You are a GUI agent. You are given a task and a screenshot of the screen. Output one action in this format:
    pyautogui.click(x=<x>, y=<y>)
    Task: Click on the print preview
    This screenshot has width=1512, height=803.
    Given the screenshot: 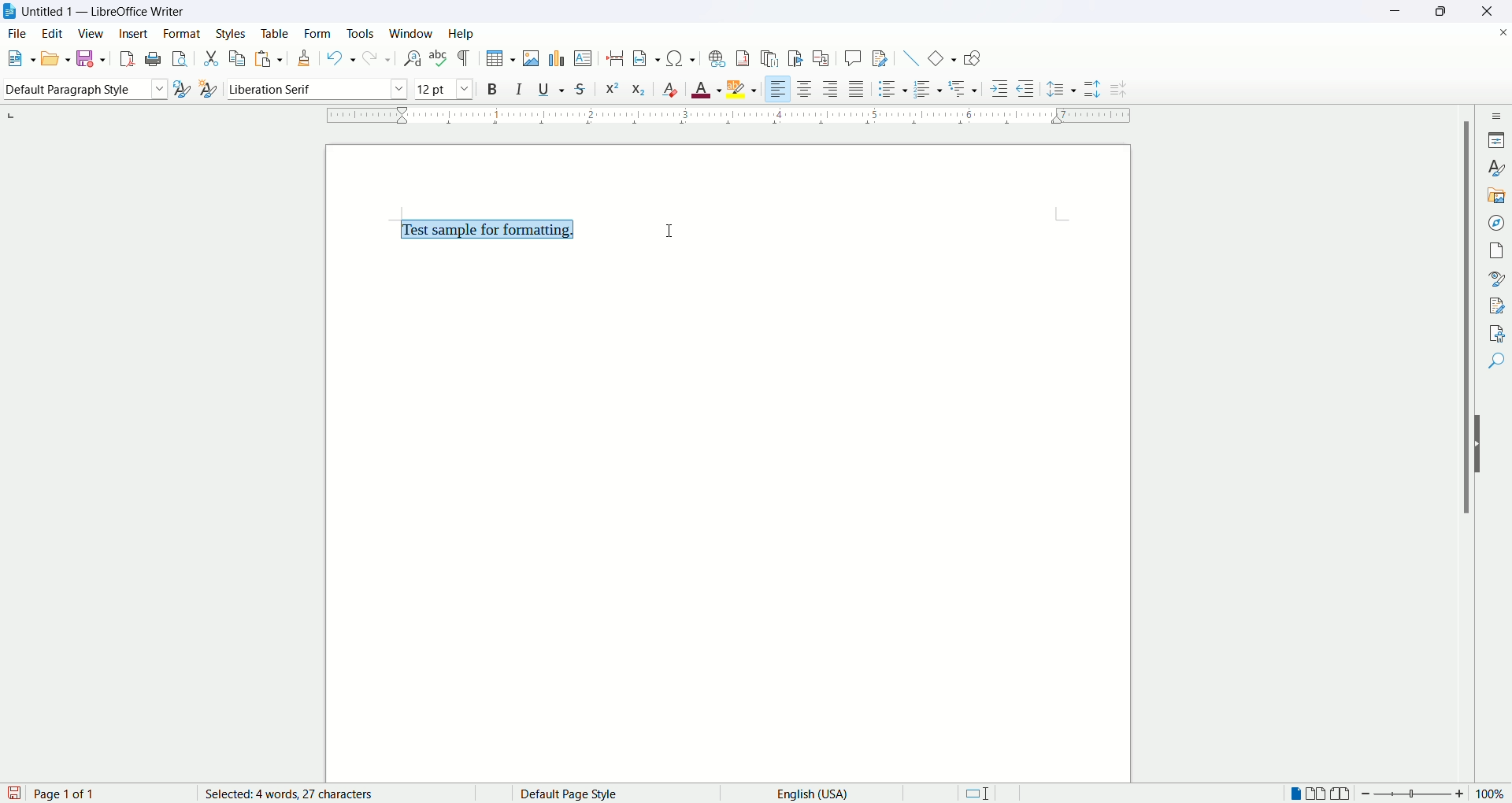 What is the action you would take?
    pyautogui.click(x=180, y=58)
    